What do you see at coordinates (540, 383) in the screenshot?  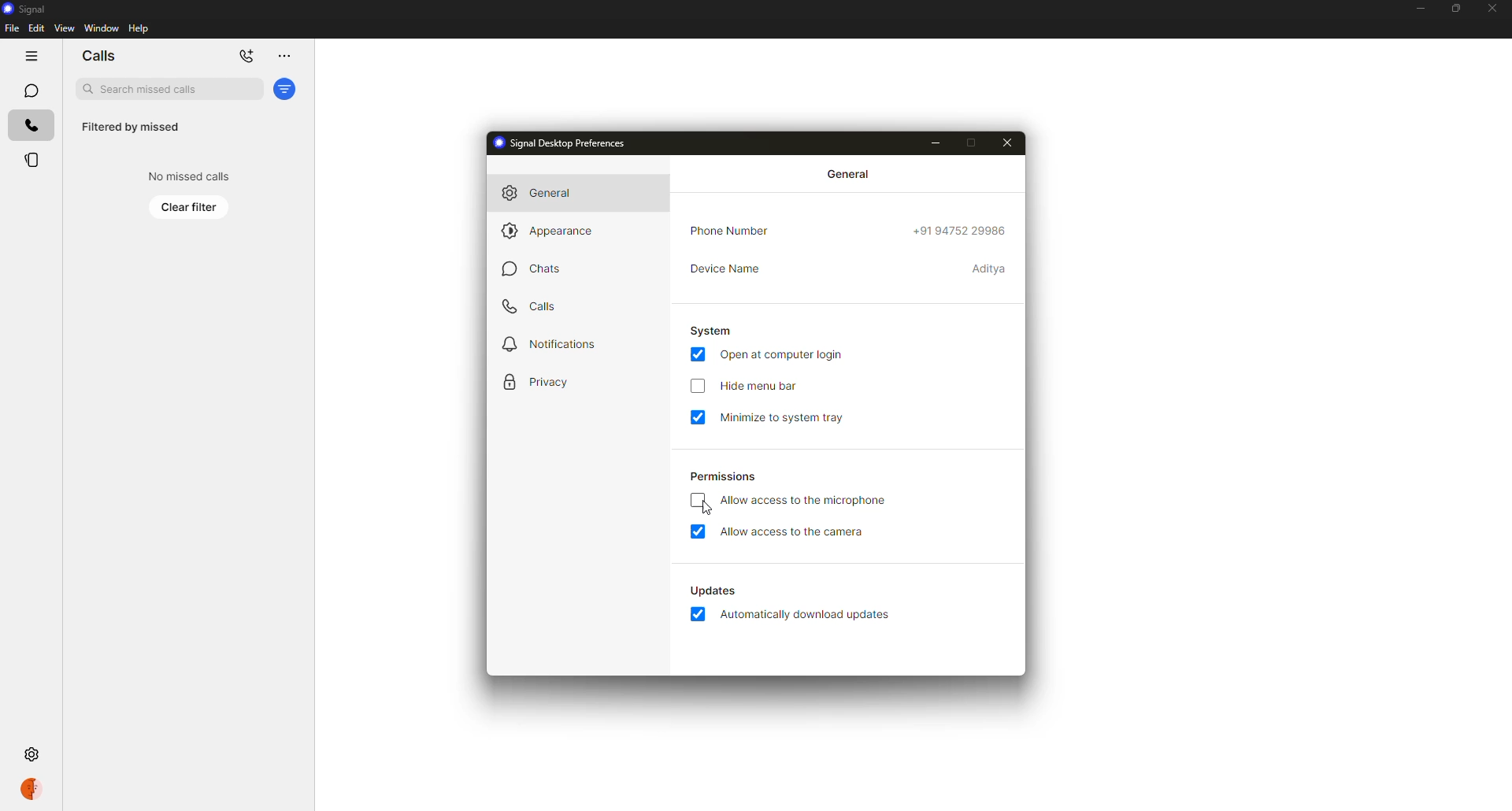 I see `privacy` at bounding box center [540, 383].